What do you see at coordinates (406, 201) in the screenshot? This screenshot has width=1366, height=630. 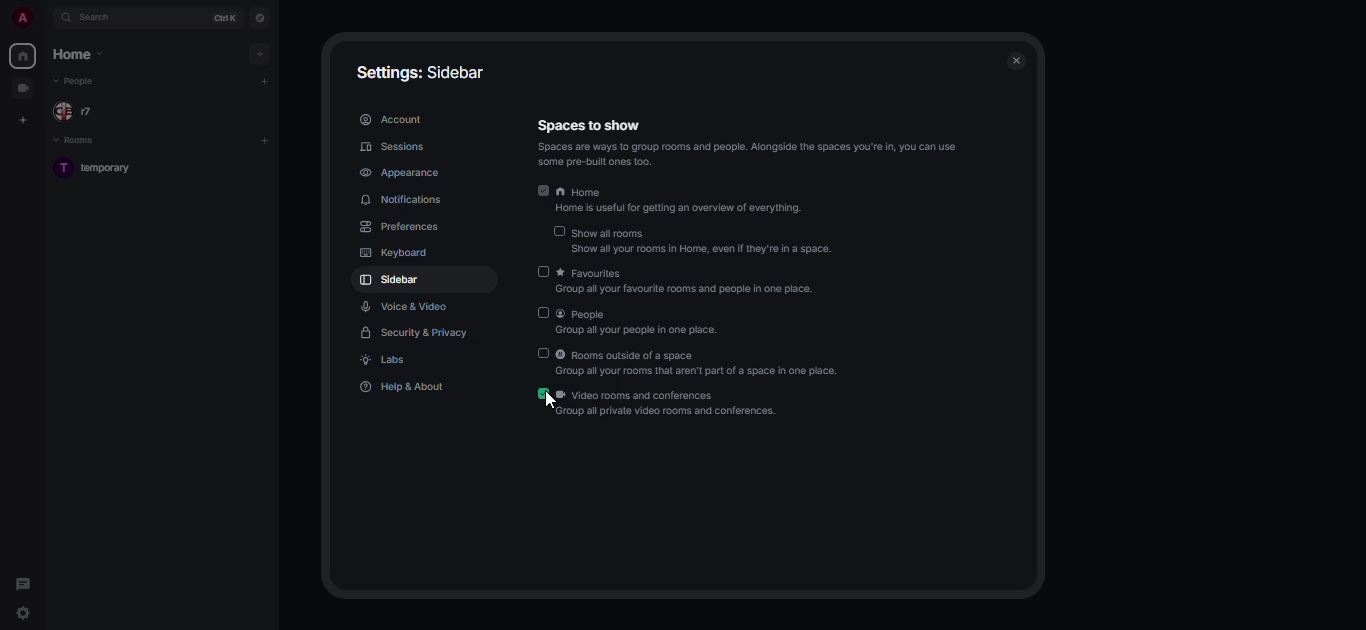 I see `notifications` at bounding box center [406, 201].